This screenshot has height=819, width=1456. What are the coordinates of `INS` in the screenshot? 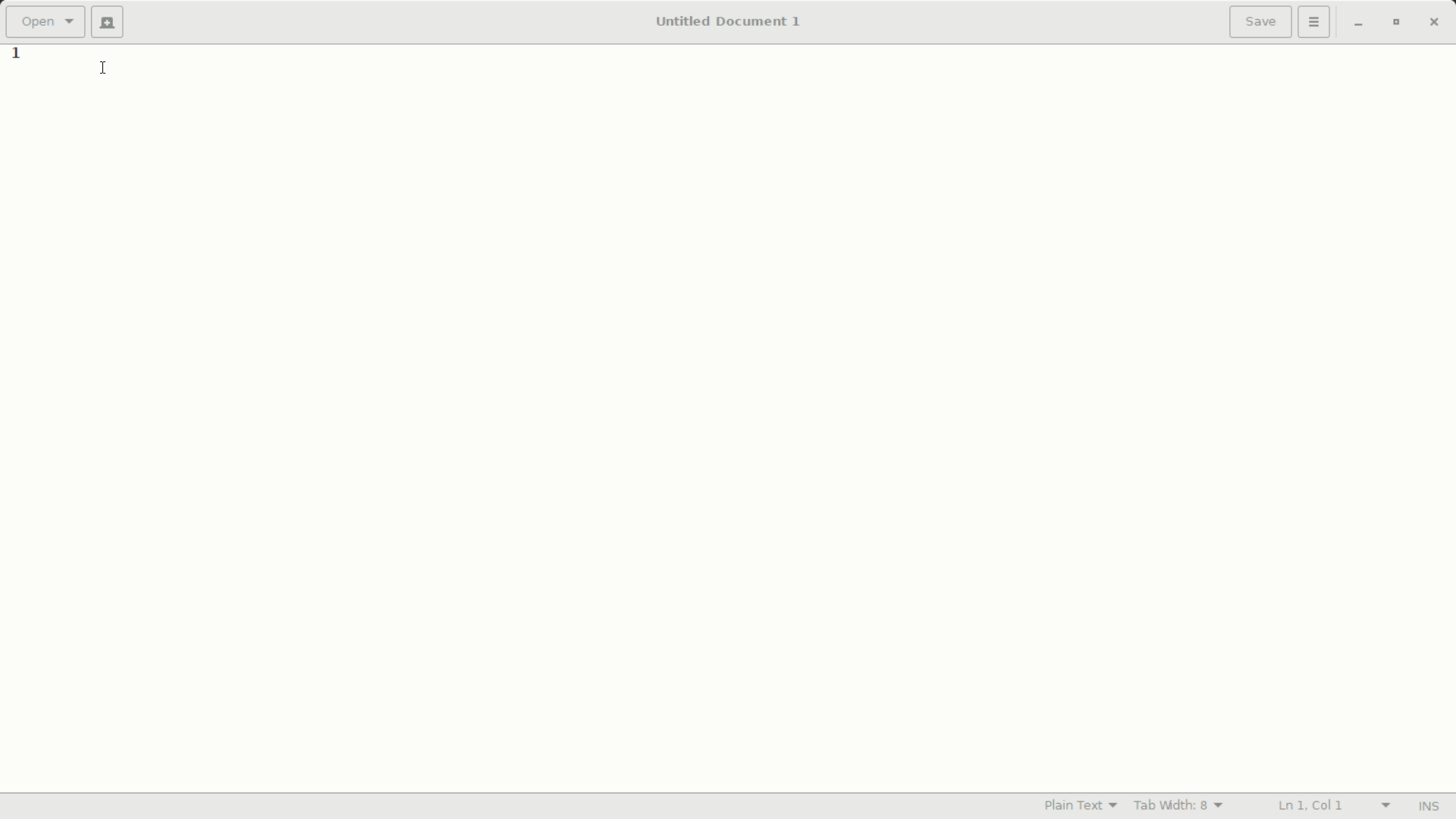 It's located at (1430, 805).